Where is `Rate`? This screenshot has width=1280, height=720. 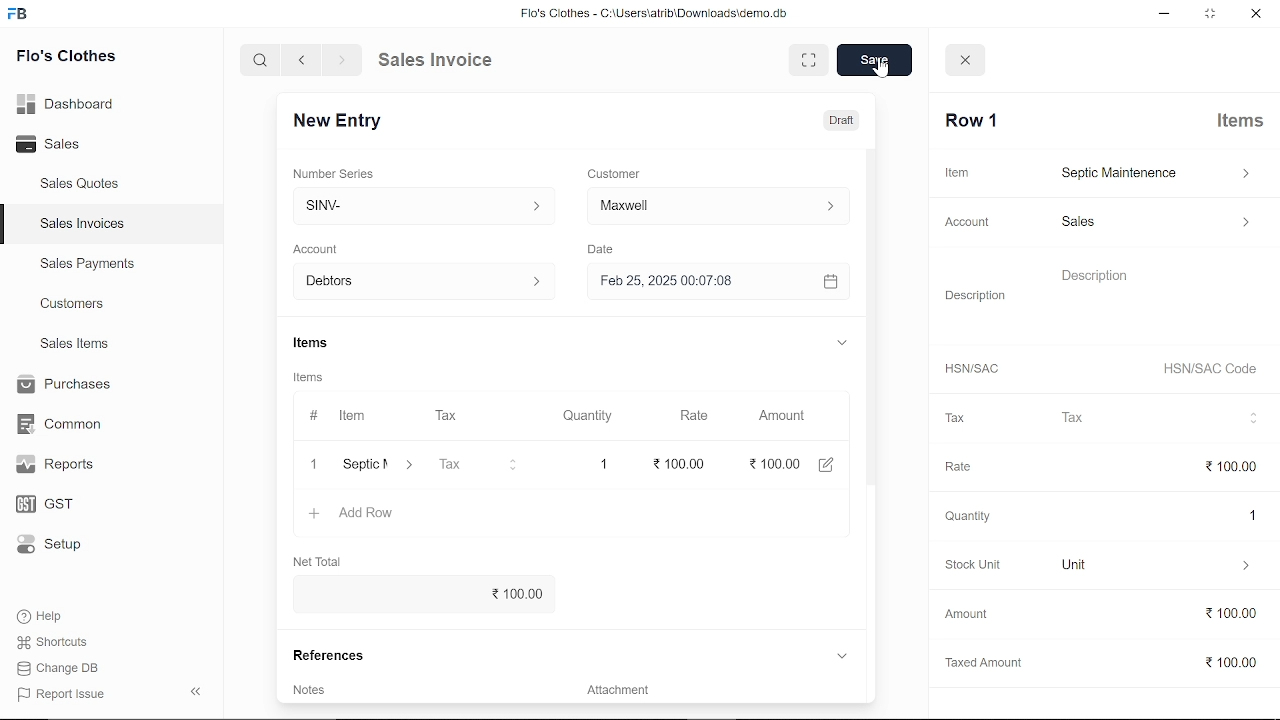
Rate is located at coordinates (954, 464).